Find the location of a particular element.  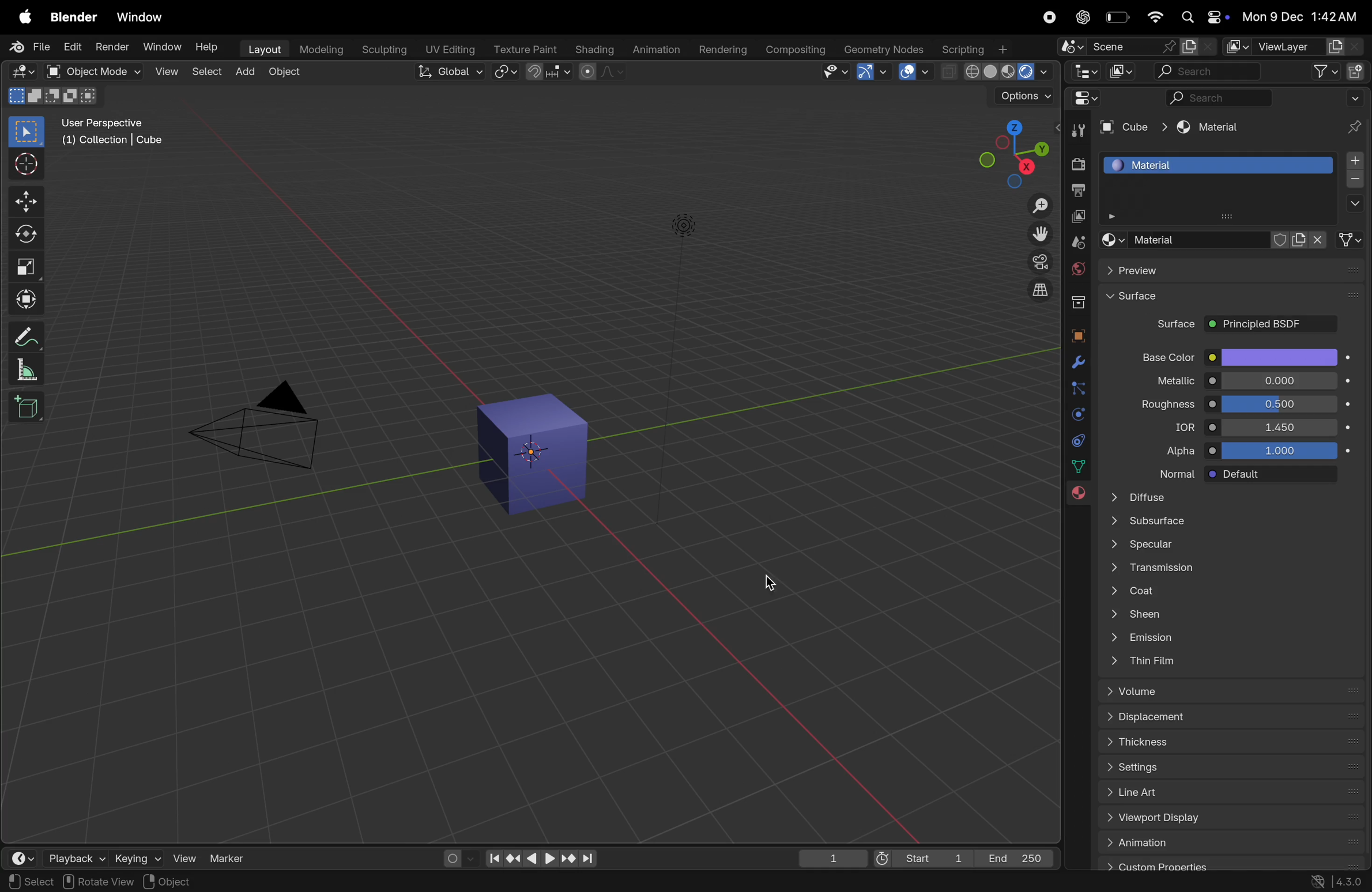

modifiers is located at coordinates (1078, 363).